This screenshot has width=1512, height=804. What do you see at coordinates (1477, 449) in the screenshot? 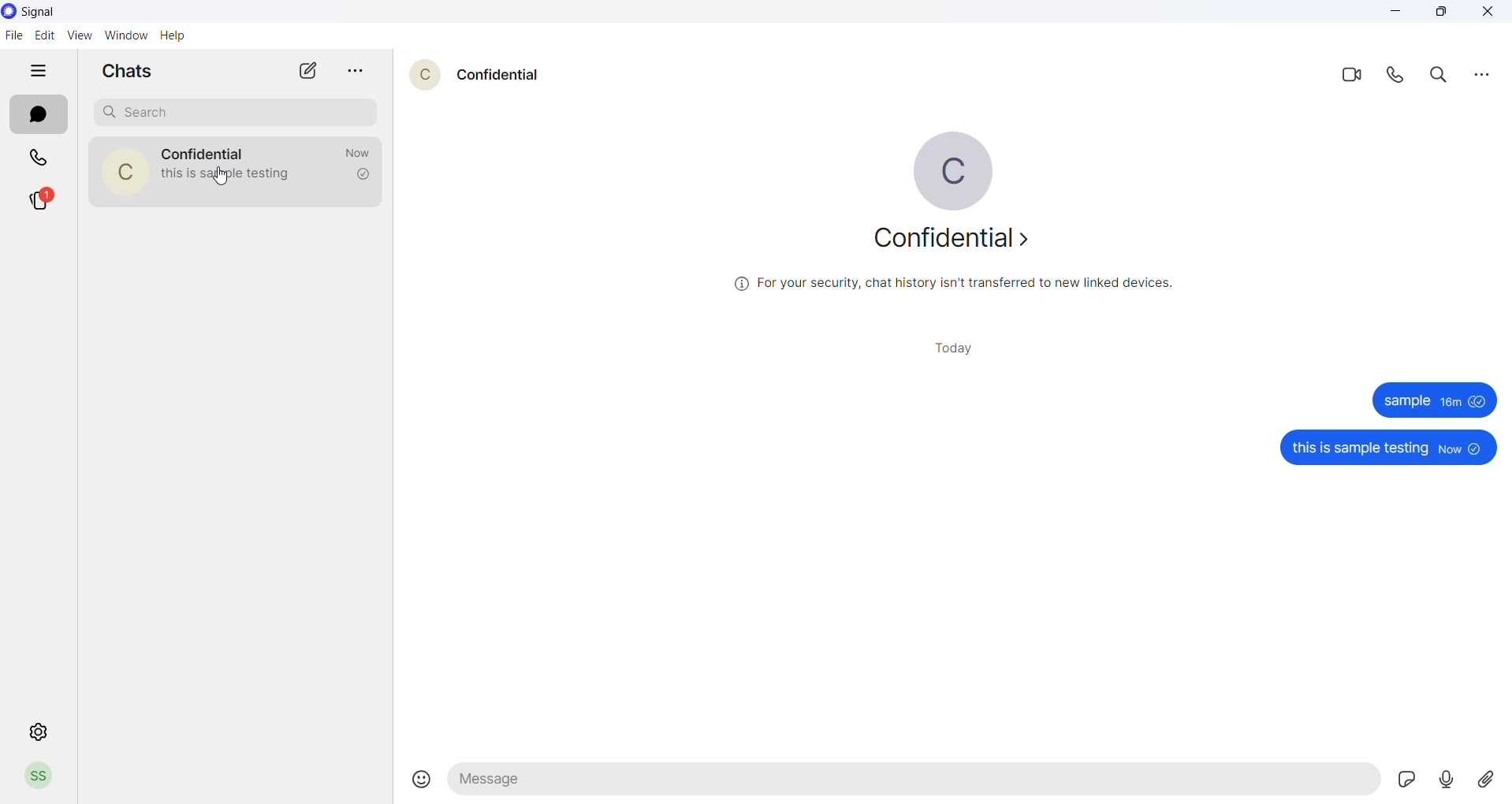
I see `seen` at bounding box center [1477, 449].